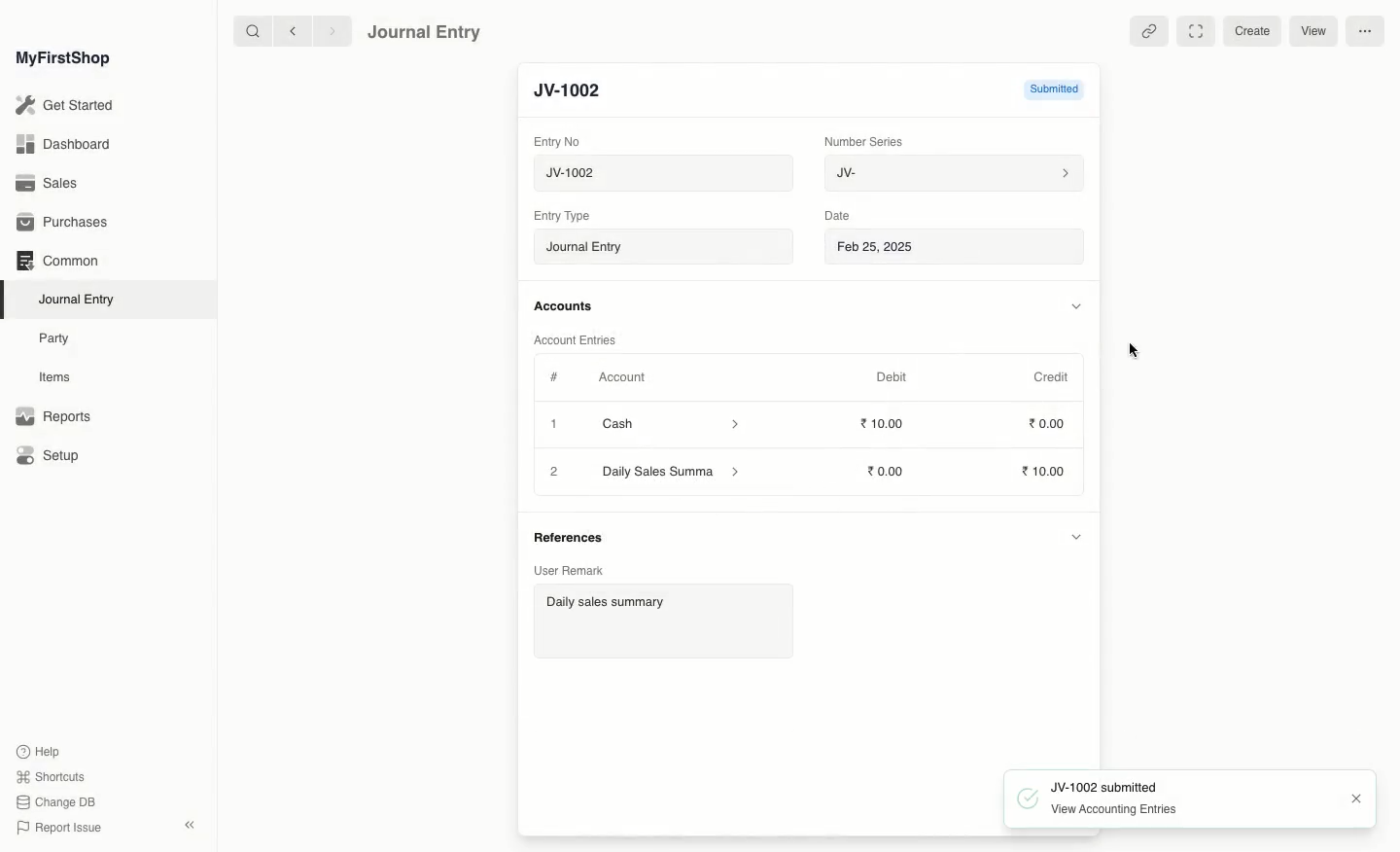 Image resolution: width=1400 pixels, height=852 pixels. I want to click on User Remark, so click(567, 570).